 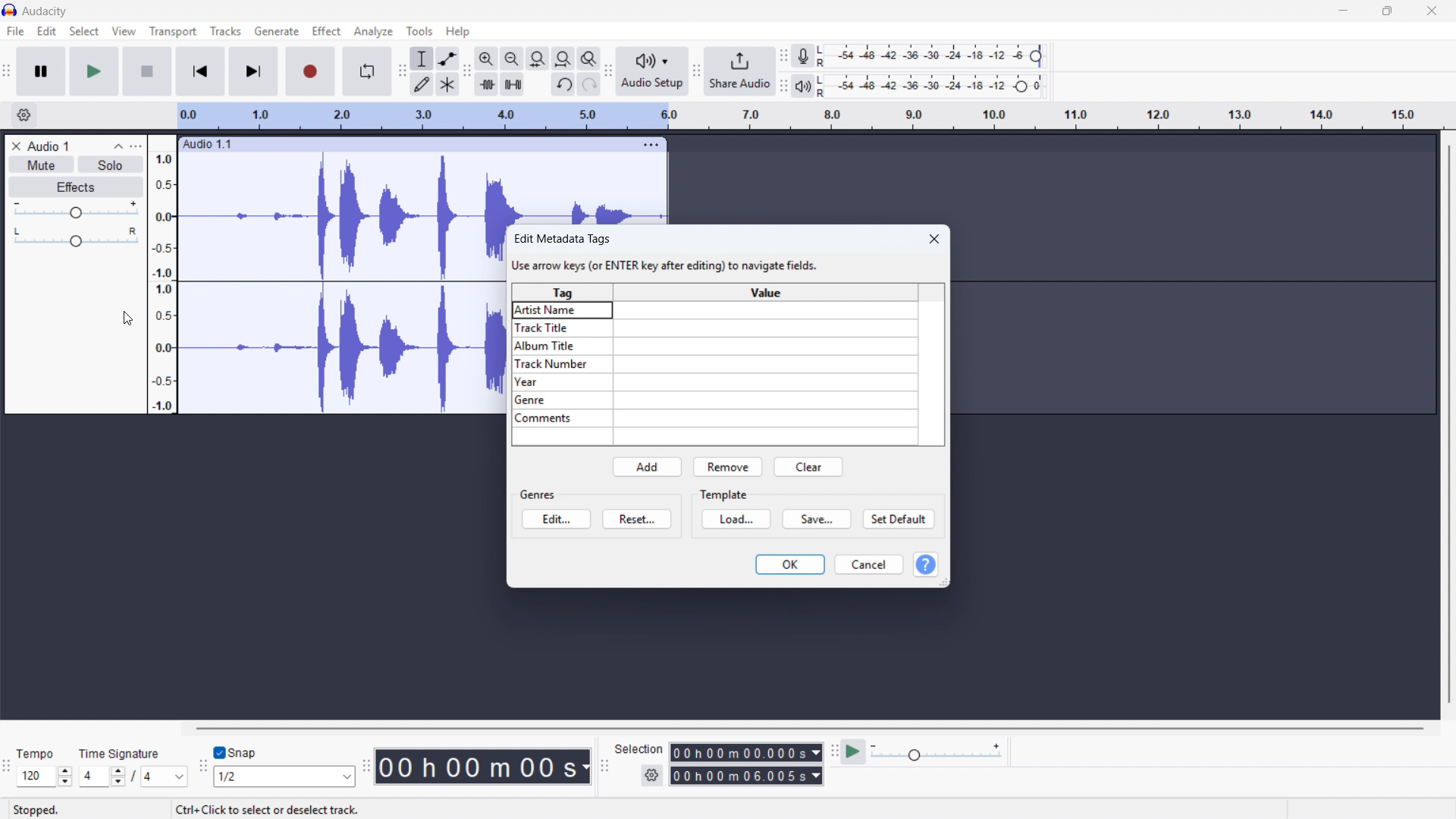 I want to click on load, so click(x=736, y=519).